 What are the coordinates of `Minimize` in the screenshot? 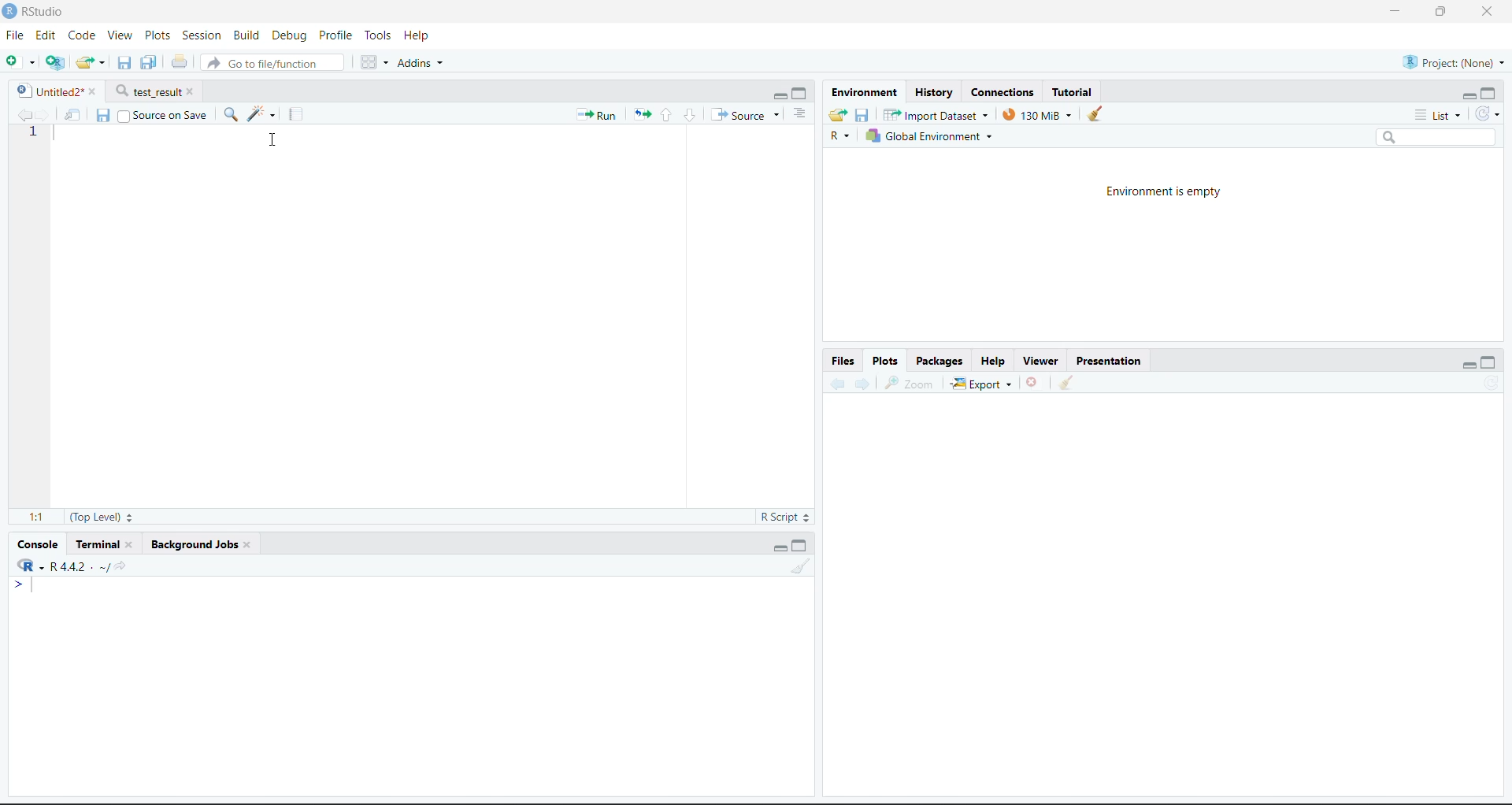 It's located at (776, 547).